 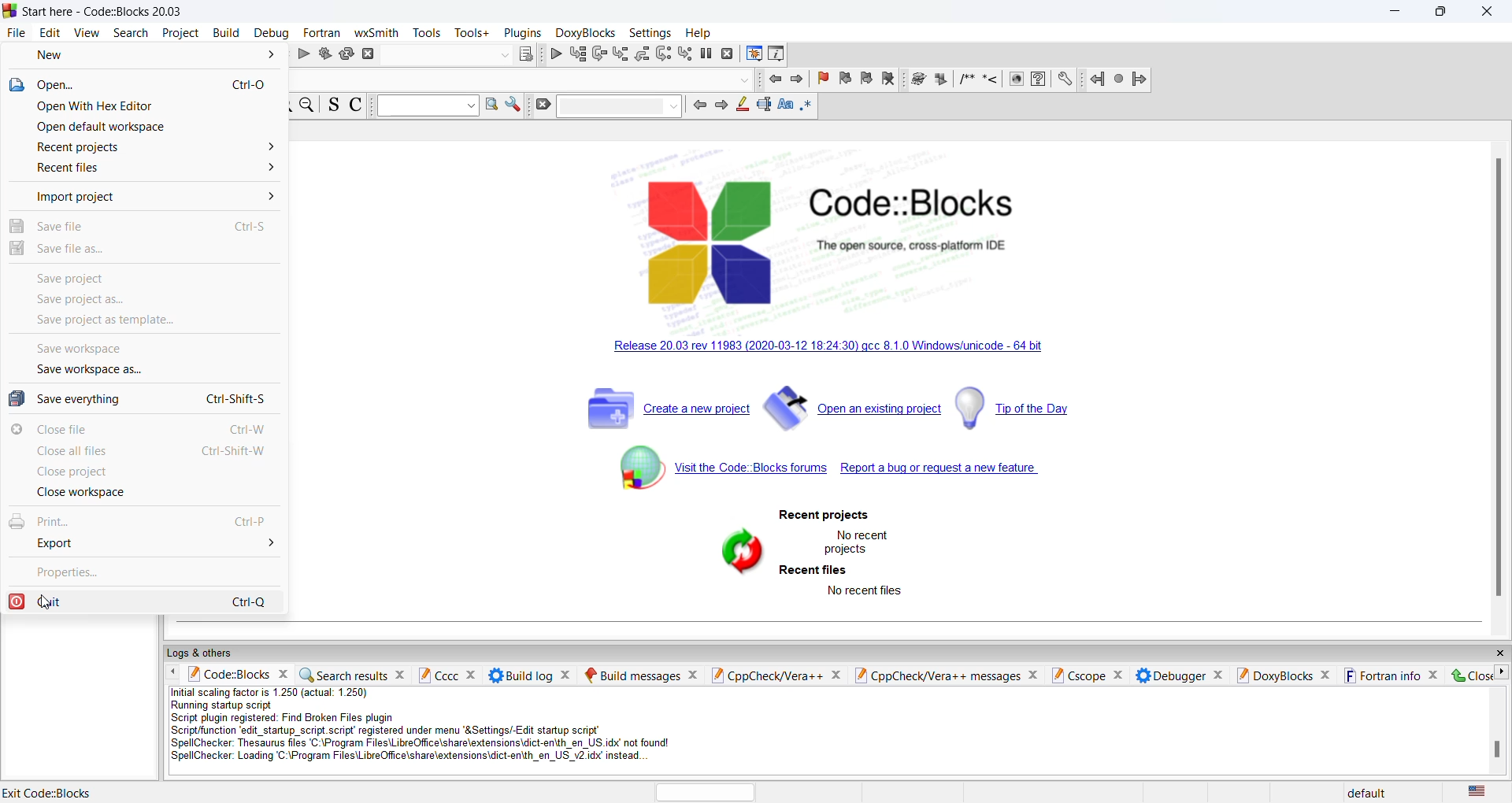 What do you see at coordinates (272, 33) in the screenshot?
I see `debug` at bounding box center [272, 33].